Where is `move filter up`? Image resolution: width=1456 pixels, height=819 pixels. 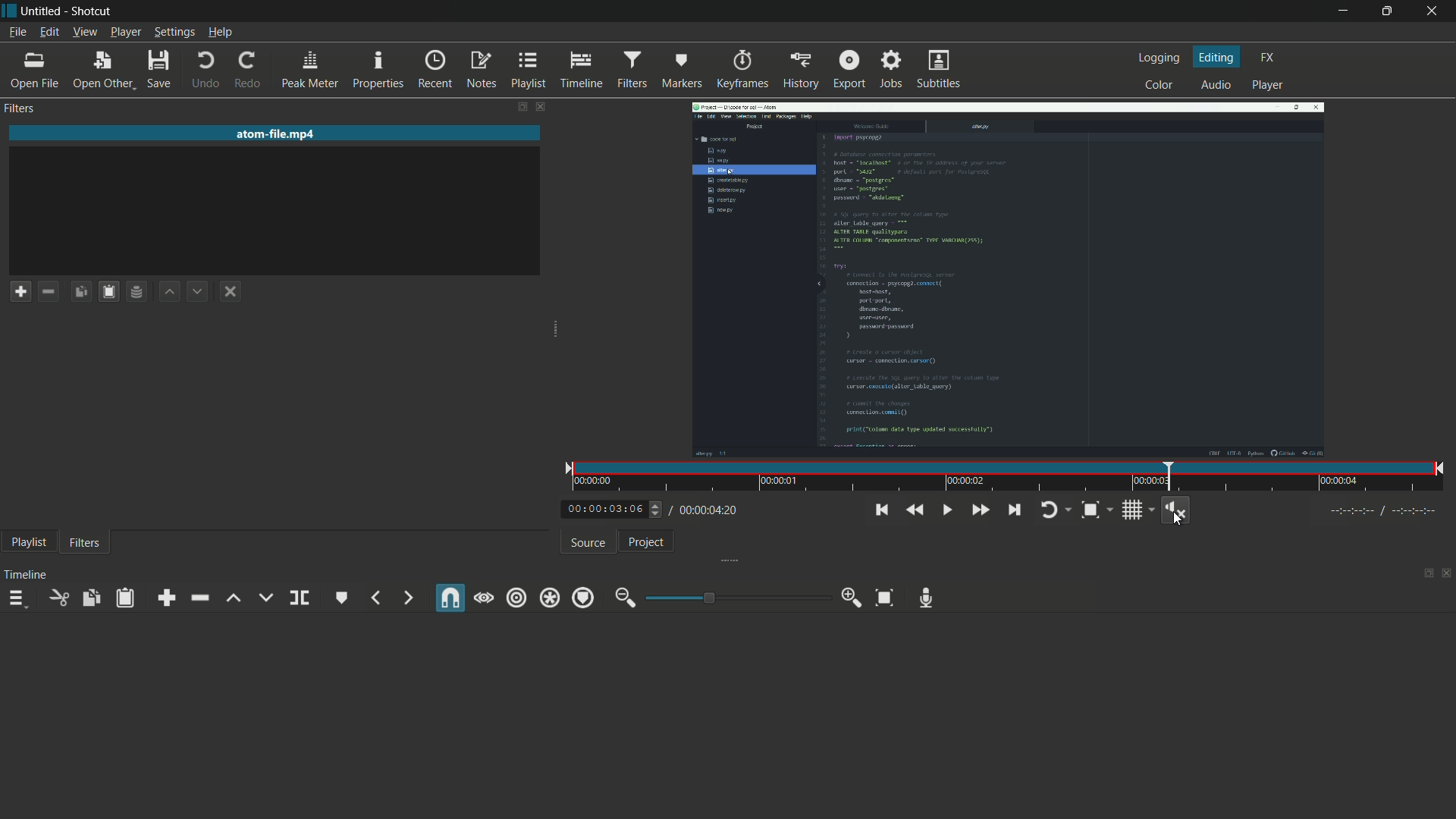 move filter up is located at coordinates (170, 292).